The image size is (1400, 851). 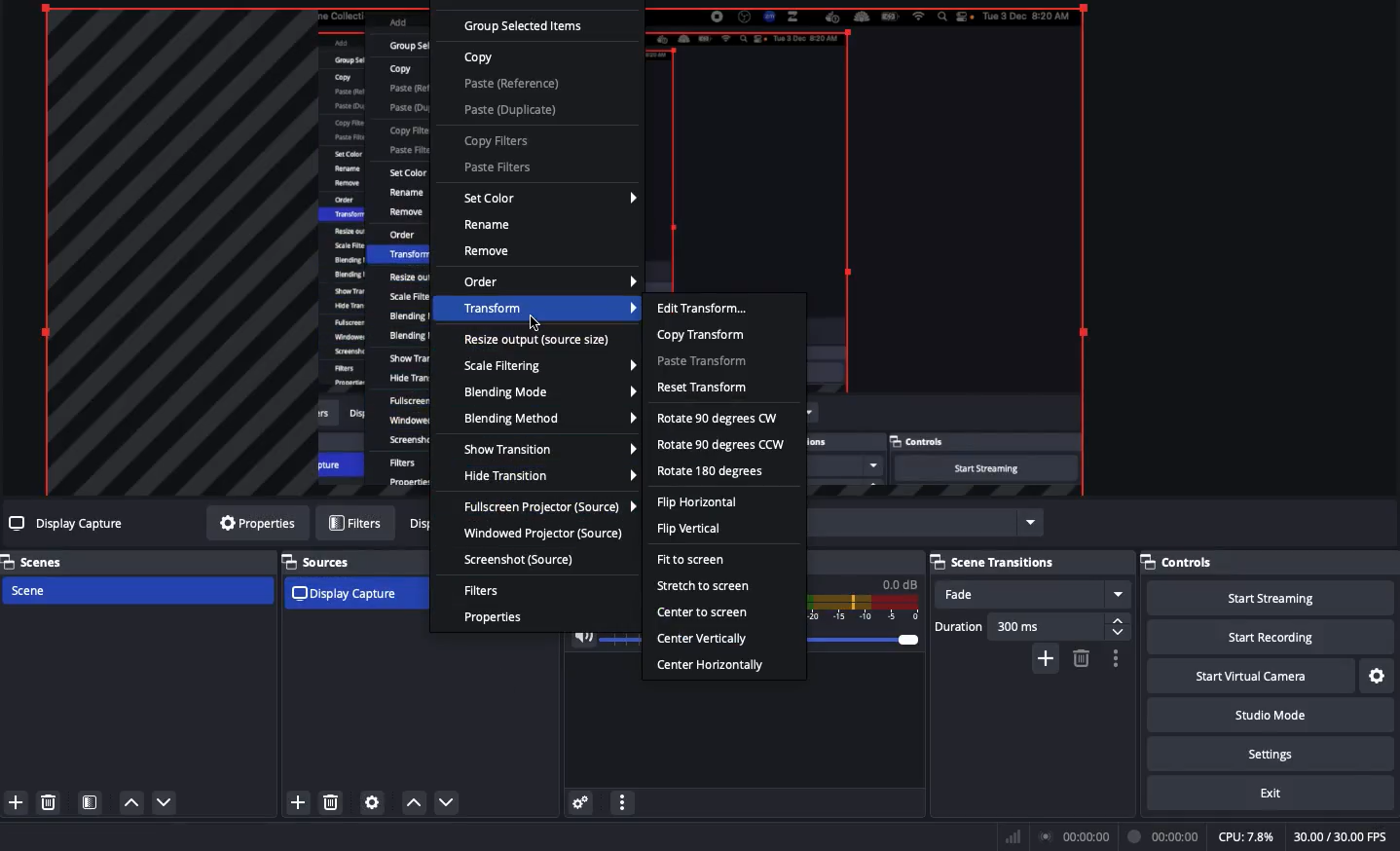 I want to click on Reset transform, so click(x=704, y=388).